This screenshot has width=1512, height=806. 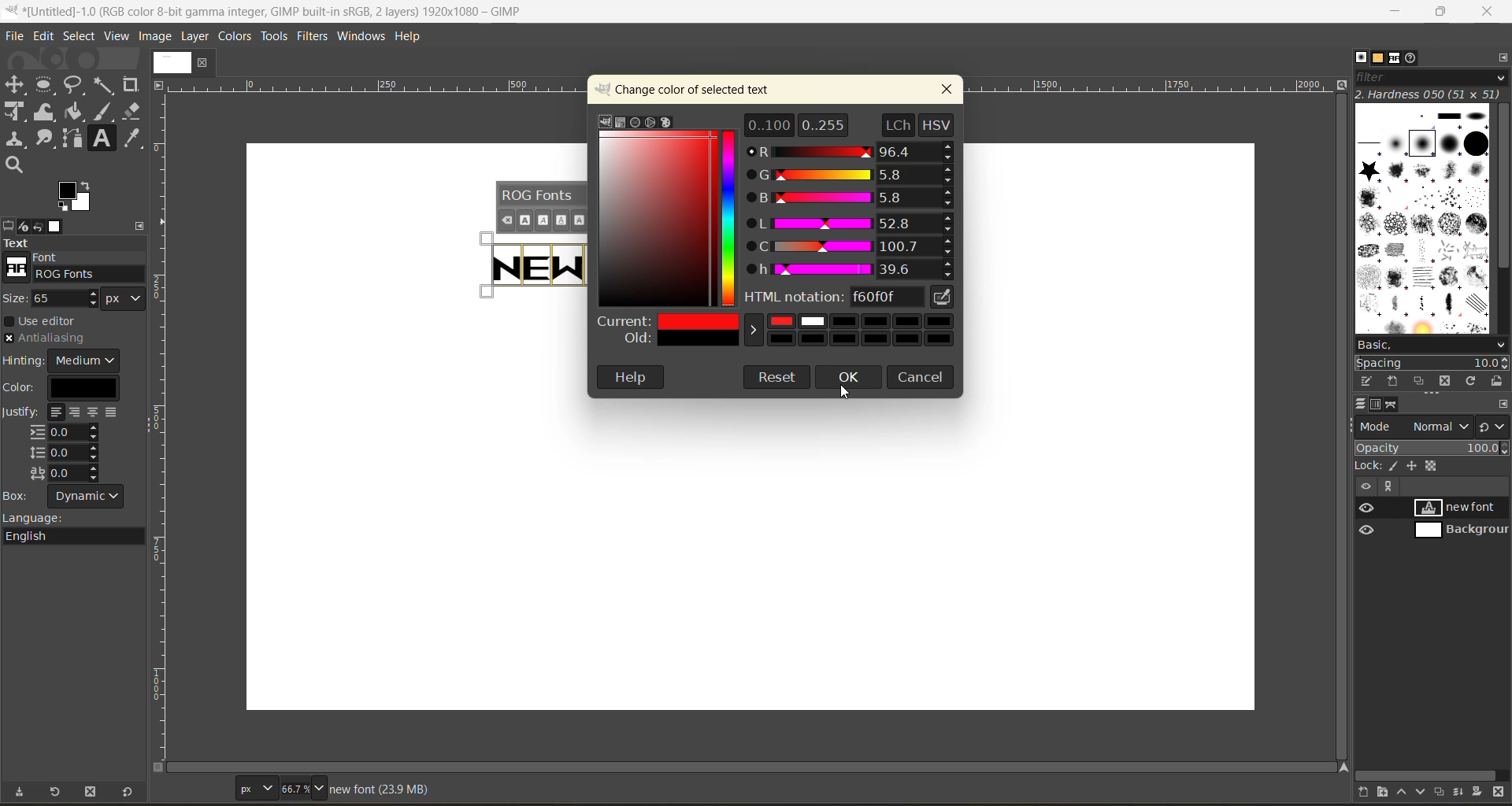 What do you see at coordinates (1369, 379) in the screenshot?
I see `edit this brush` at bounding box center [1369, 379].